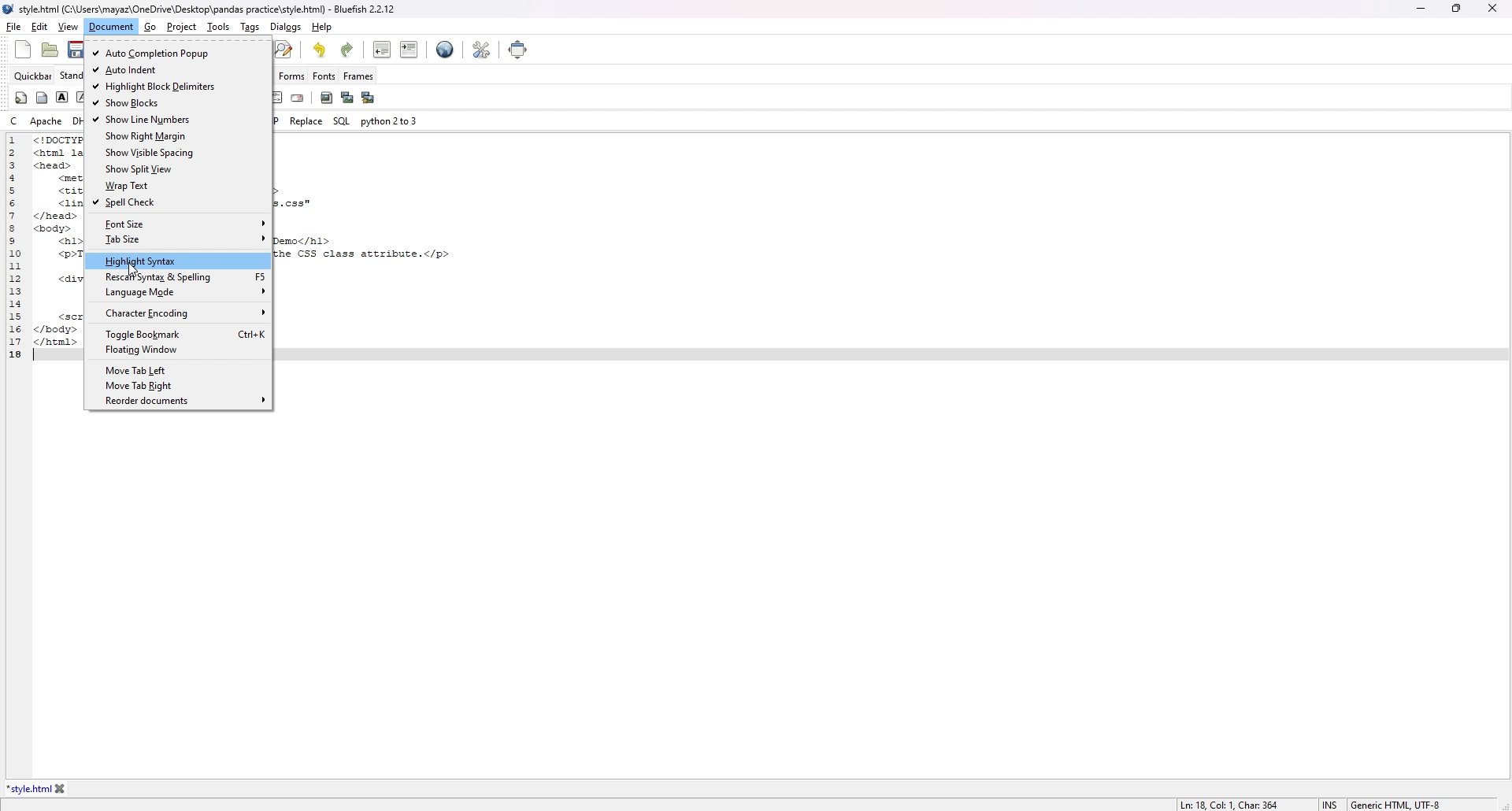 Image resolution: width=1512 pixels, height=811 pixels. I want to click on close, so click(1492, 8).